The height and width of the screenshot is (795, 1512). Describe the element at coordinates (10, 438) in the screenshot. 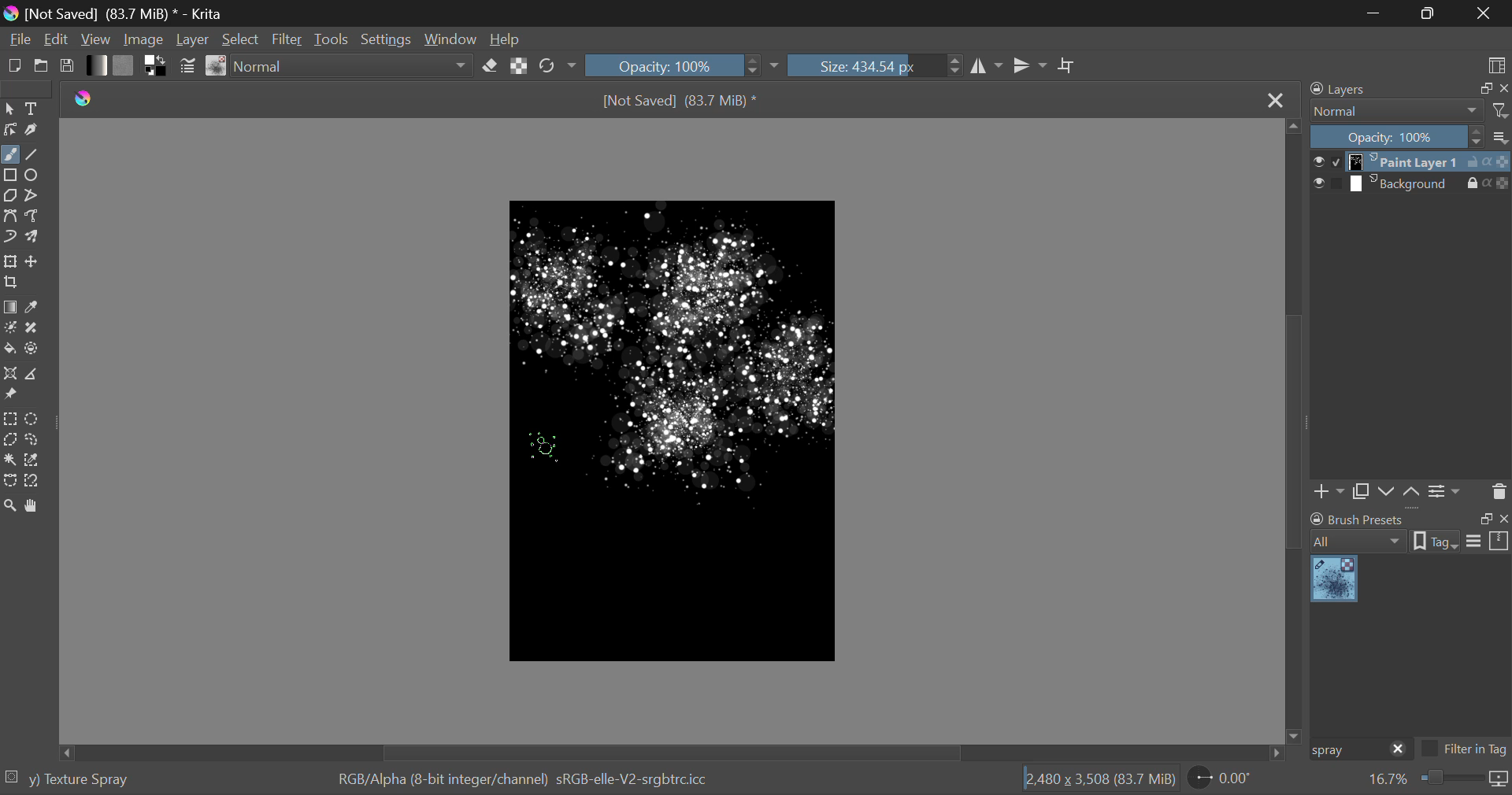

I see `Polygon Selection` at that location.